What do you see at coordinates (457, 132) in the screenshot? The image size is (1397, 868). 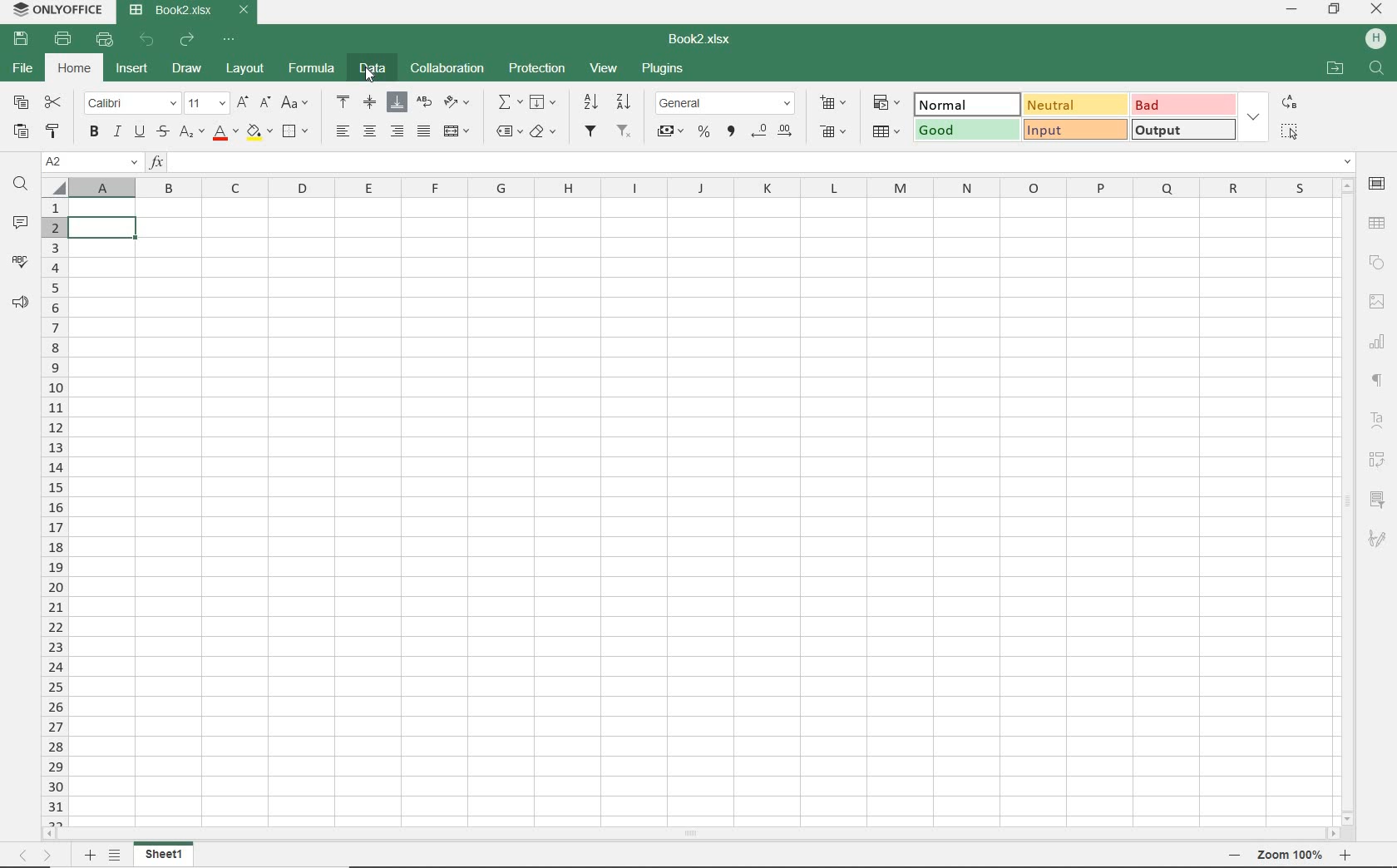 I see `MERGE & CENTER` at bounding box center [457, 132].